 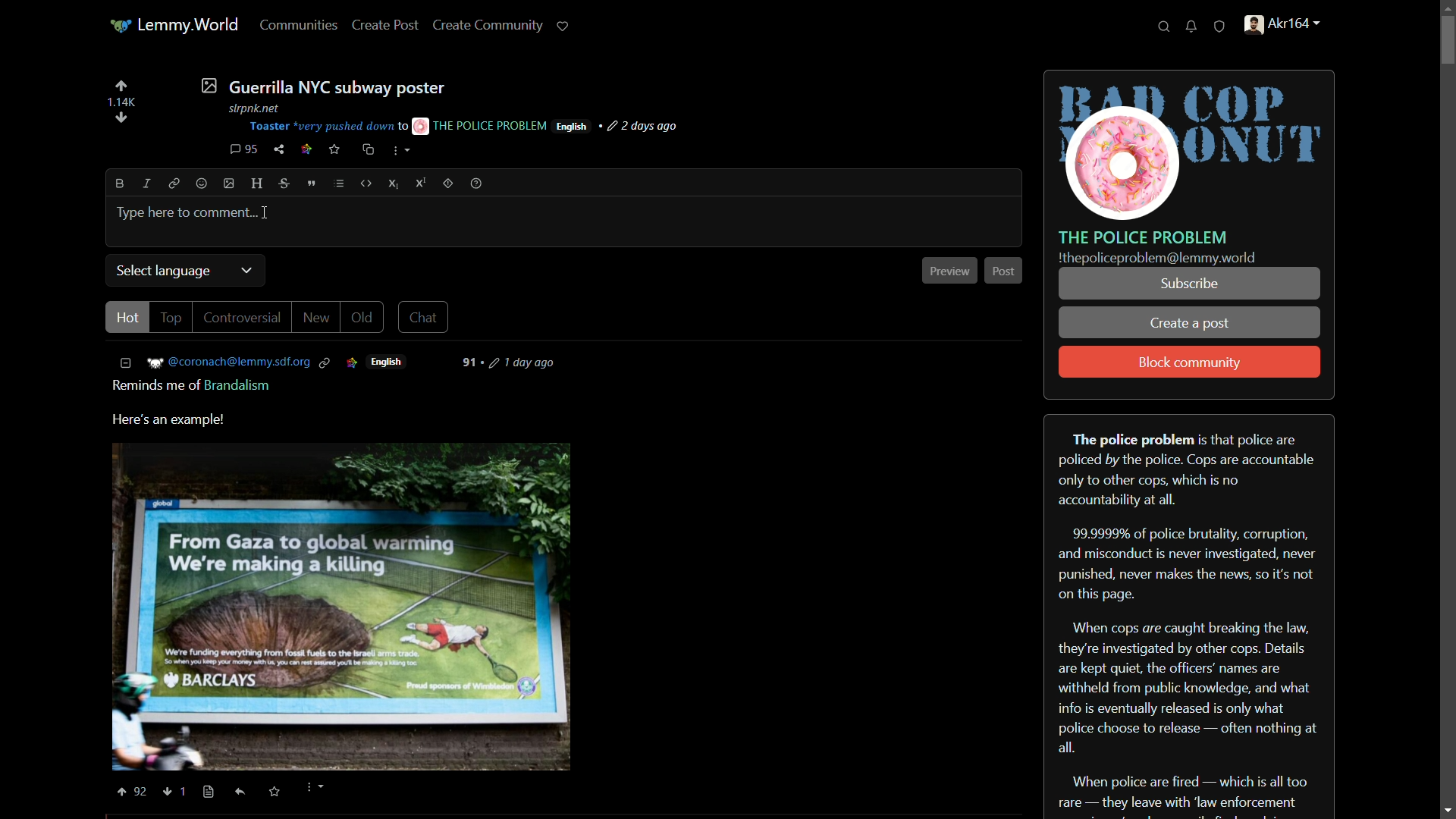 What do you see at coordinates (176, 792) in the screenshot?
I see `downvote` at bounding box center [176, 792].